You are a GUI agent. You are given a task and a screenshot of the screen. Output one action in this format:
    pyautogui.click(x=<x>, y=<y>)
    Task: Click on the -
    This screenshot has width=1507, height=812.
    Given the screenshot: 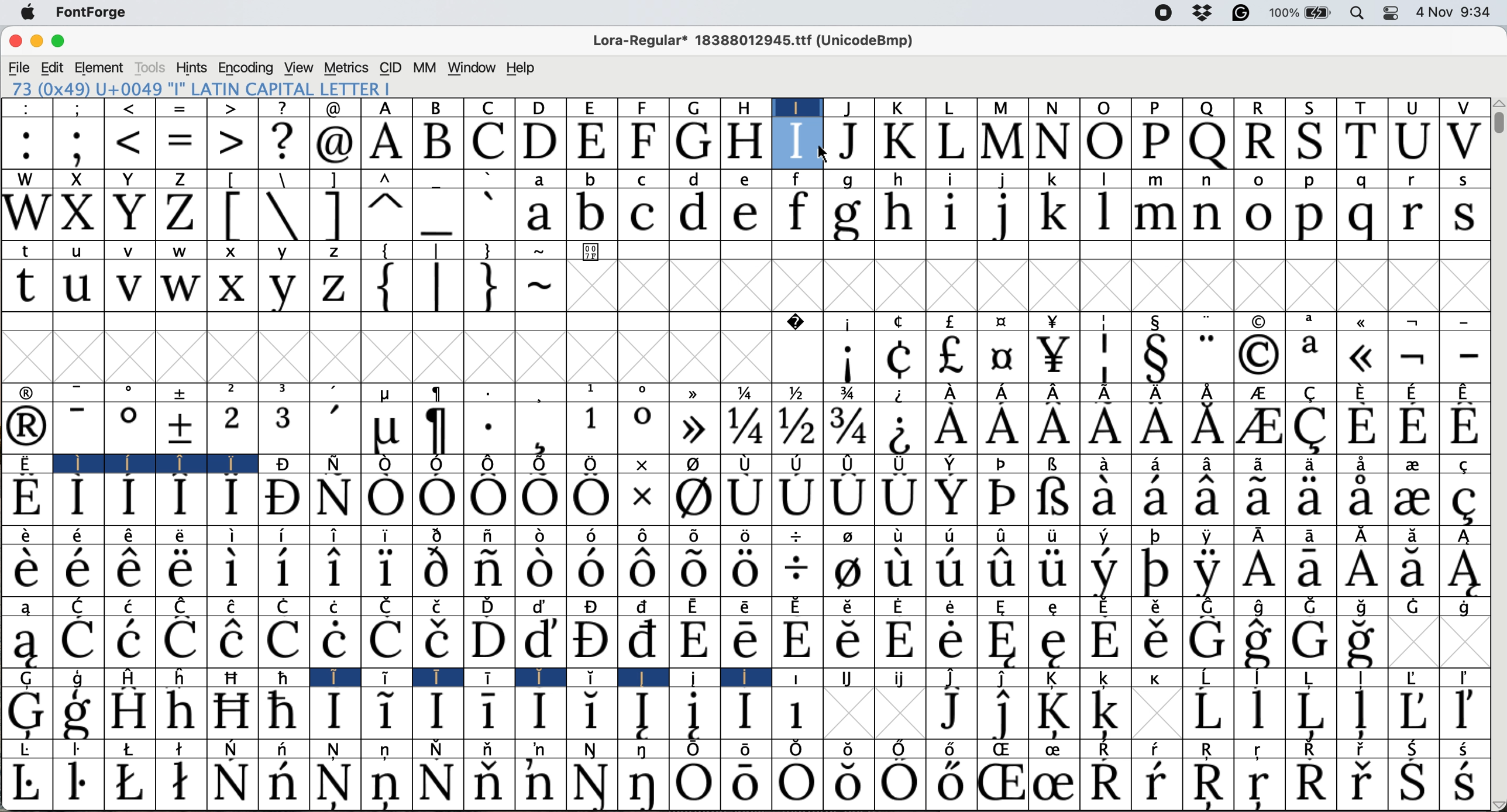 What is the action you would take?
    pyautogui.click(x=1466, y=356)
    